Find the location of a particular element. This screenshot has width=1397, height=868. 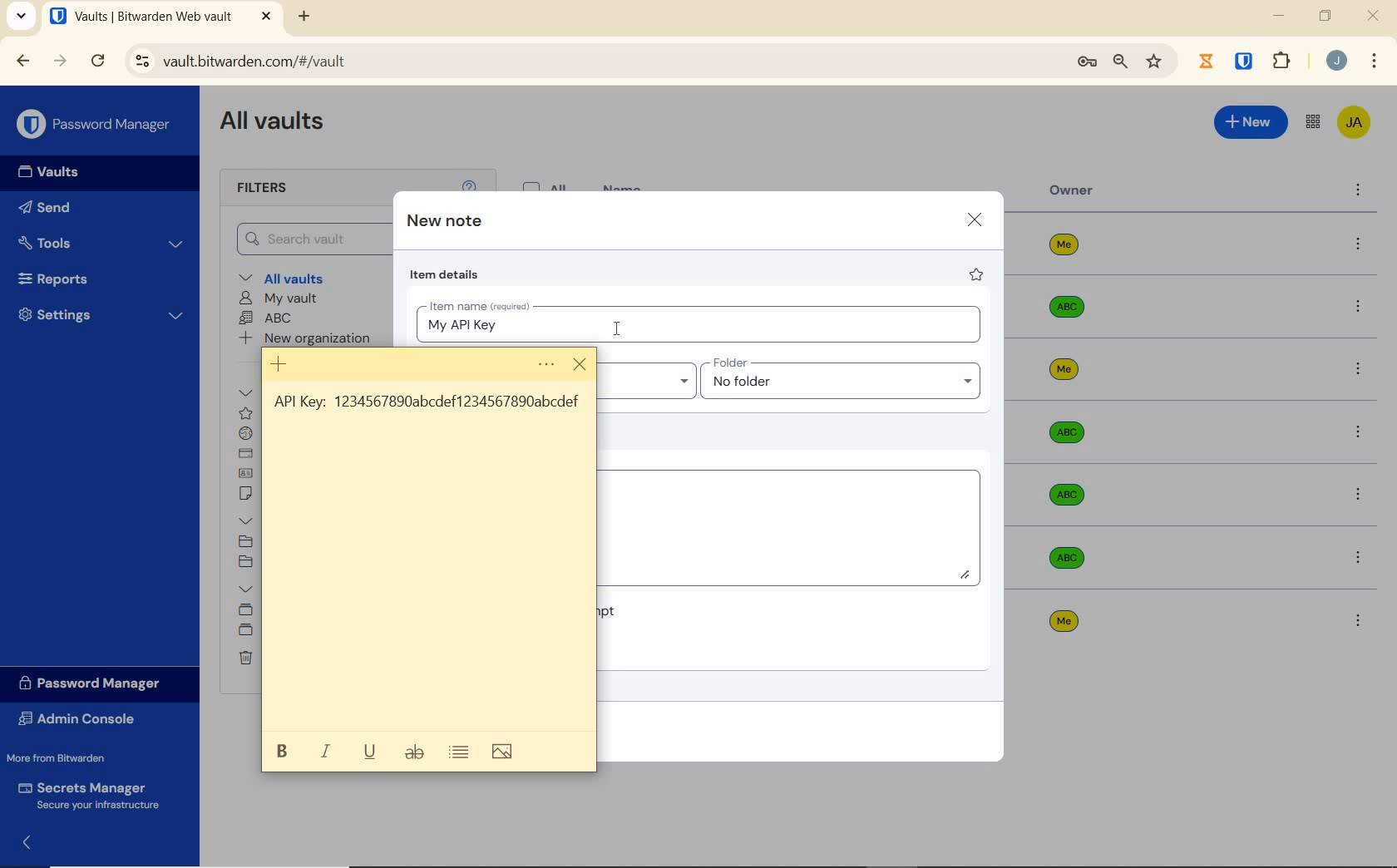

more options is located at coordinates (1359, 372).